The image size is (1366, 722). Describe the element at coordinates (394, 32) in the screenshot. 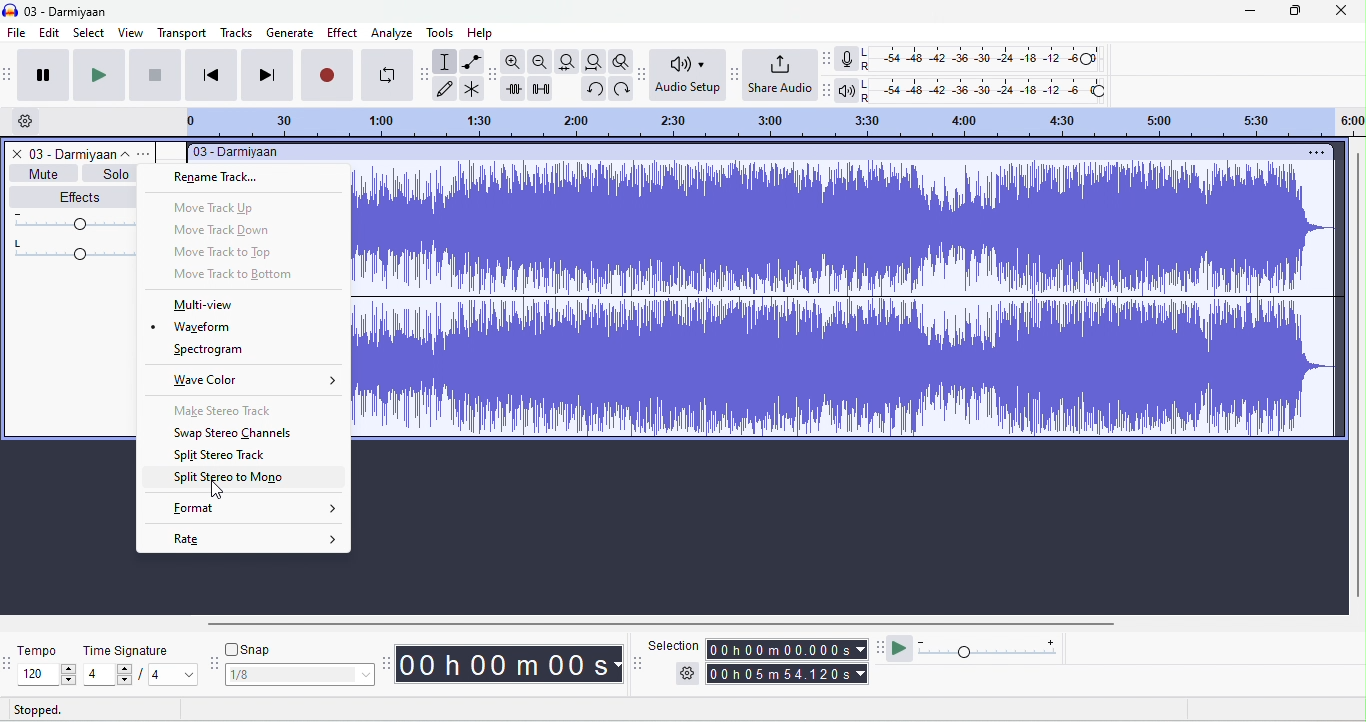

I see `analyze` at that location.